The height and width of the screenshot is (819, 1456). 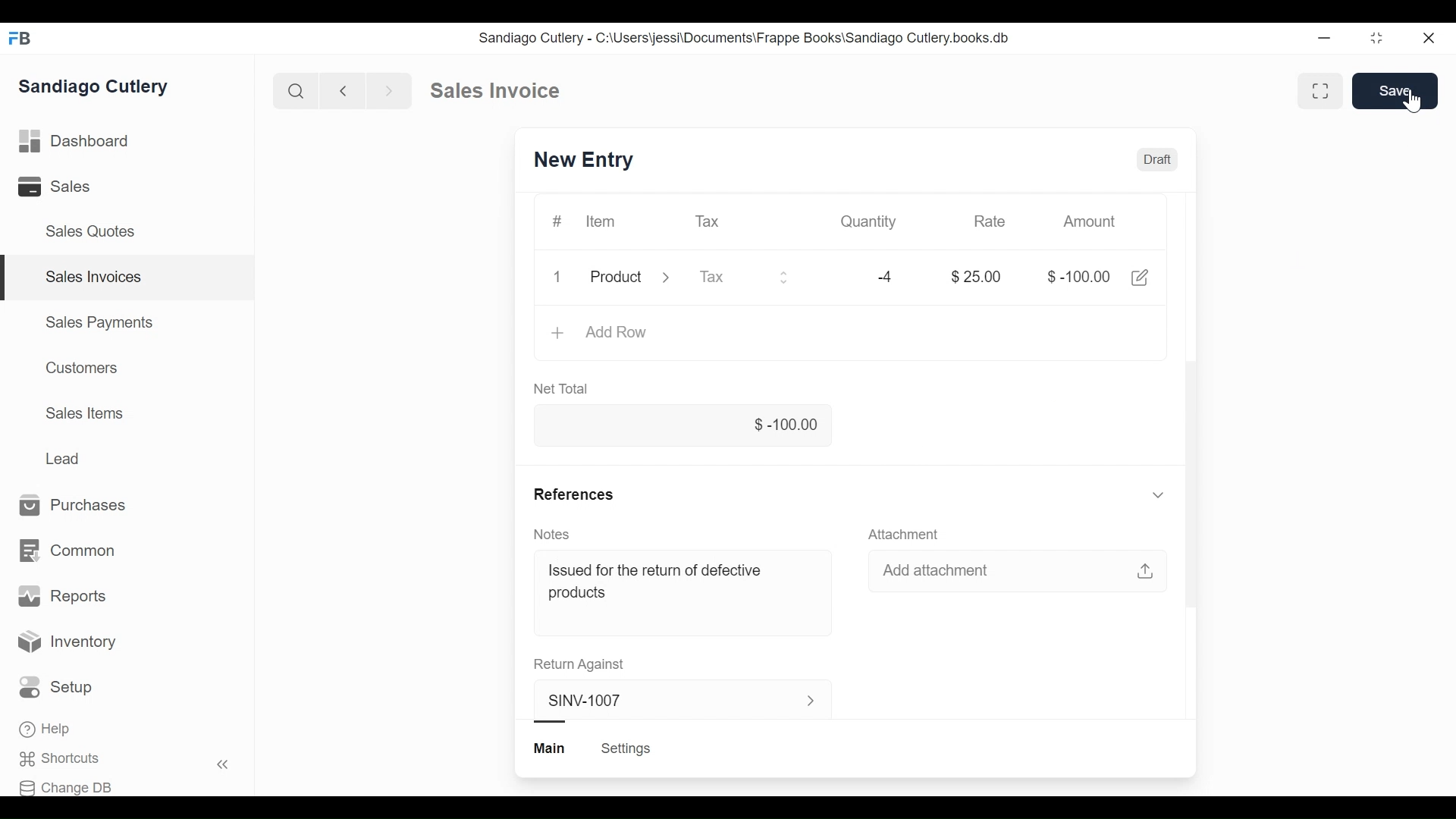 What do you see at coordinates (1077, 276) in the screenshot?
I see `$-100.00` at bounding box center [1077, 276].